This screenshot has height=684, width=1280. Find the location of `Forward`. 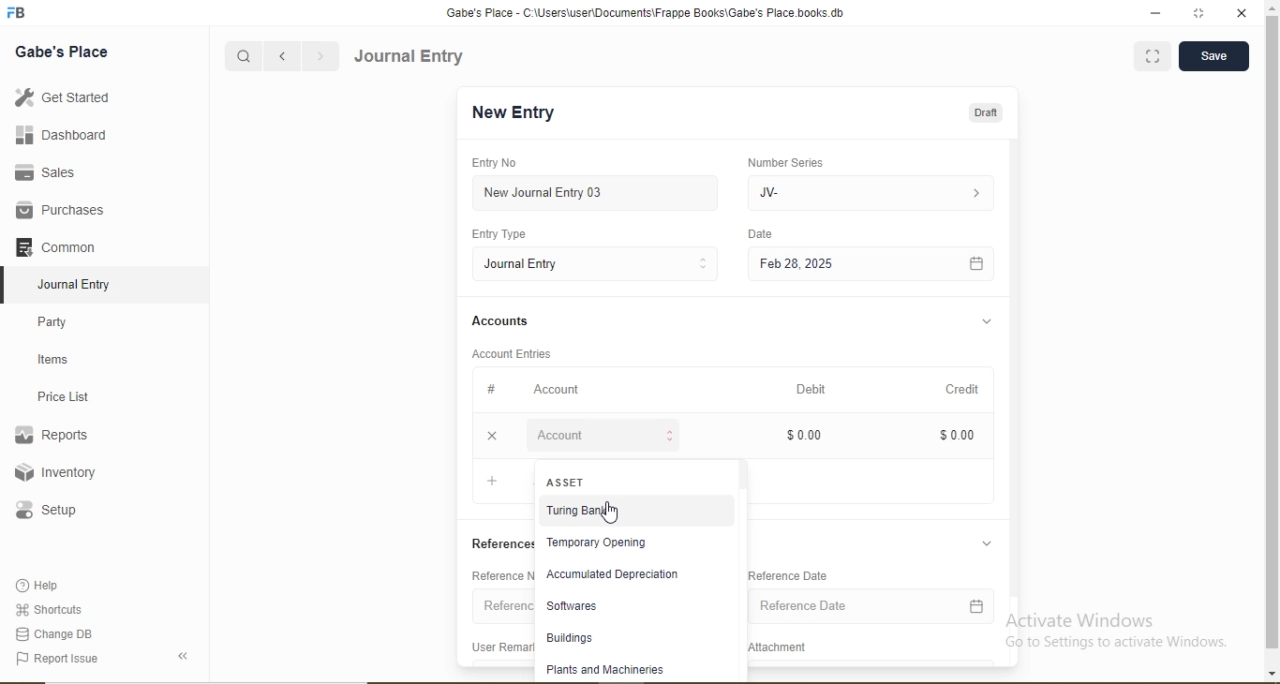

Forward is located at coordinates (321, 56).